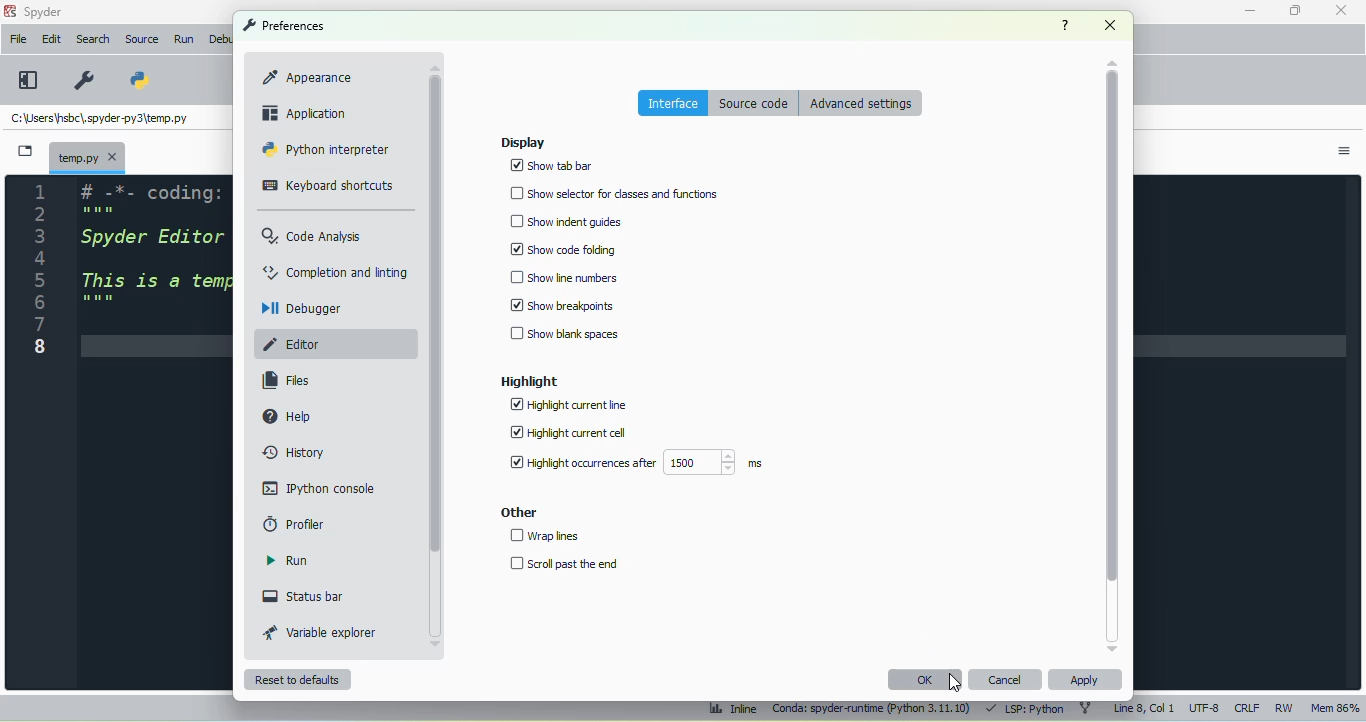 The image size is (1366, 722). What do you see at coordinates (1294, 10) in the screenshot?
I see `maximize` at bounding box center [1294, 10].